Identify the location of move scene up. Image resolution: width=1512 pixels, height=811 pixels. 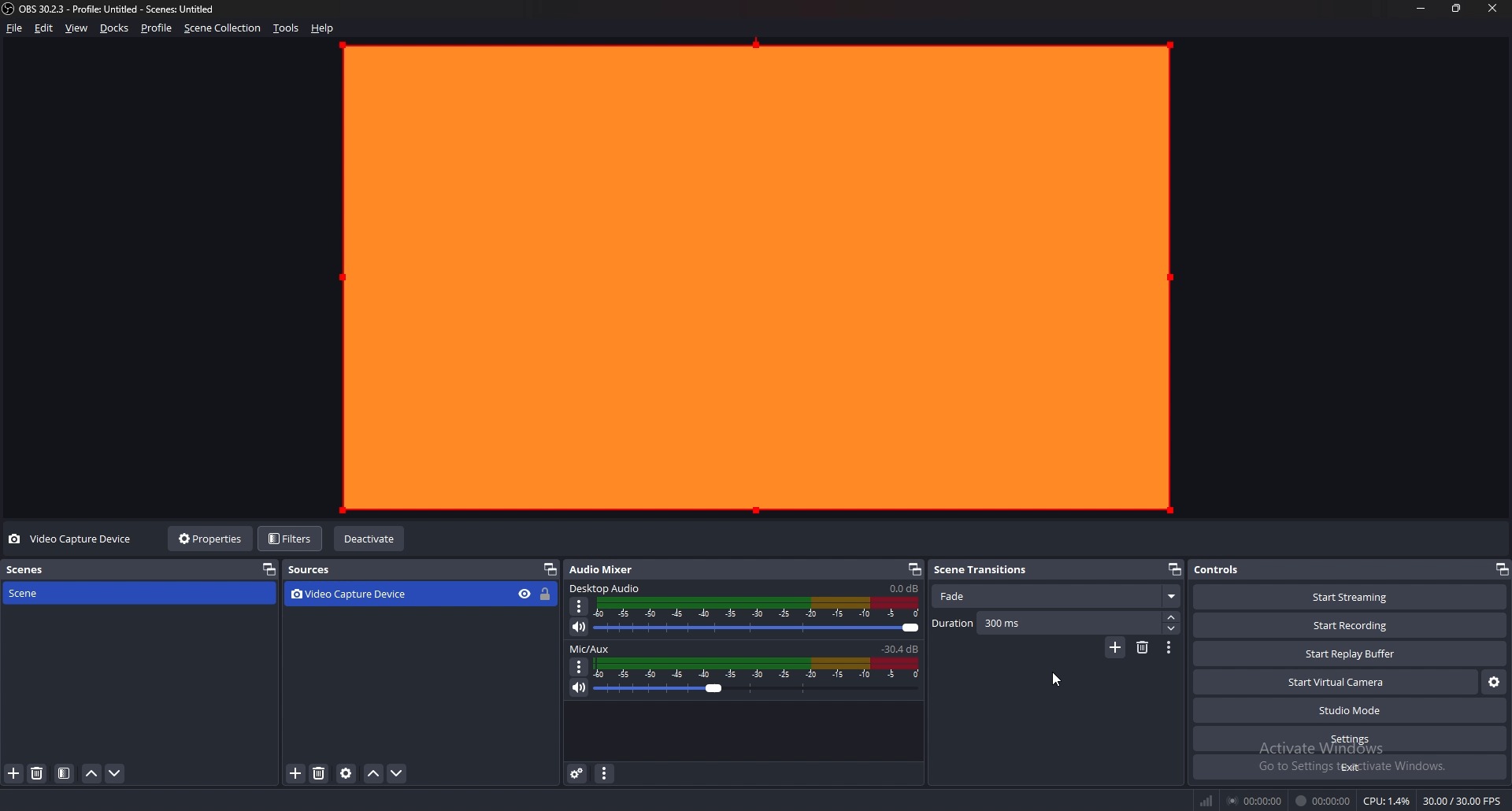
(93, 774).